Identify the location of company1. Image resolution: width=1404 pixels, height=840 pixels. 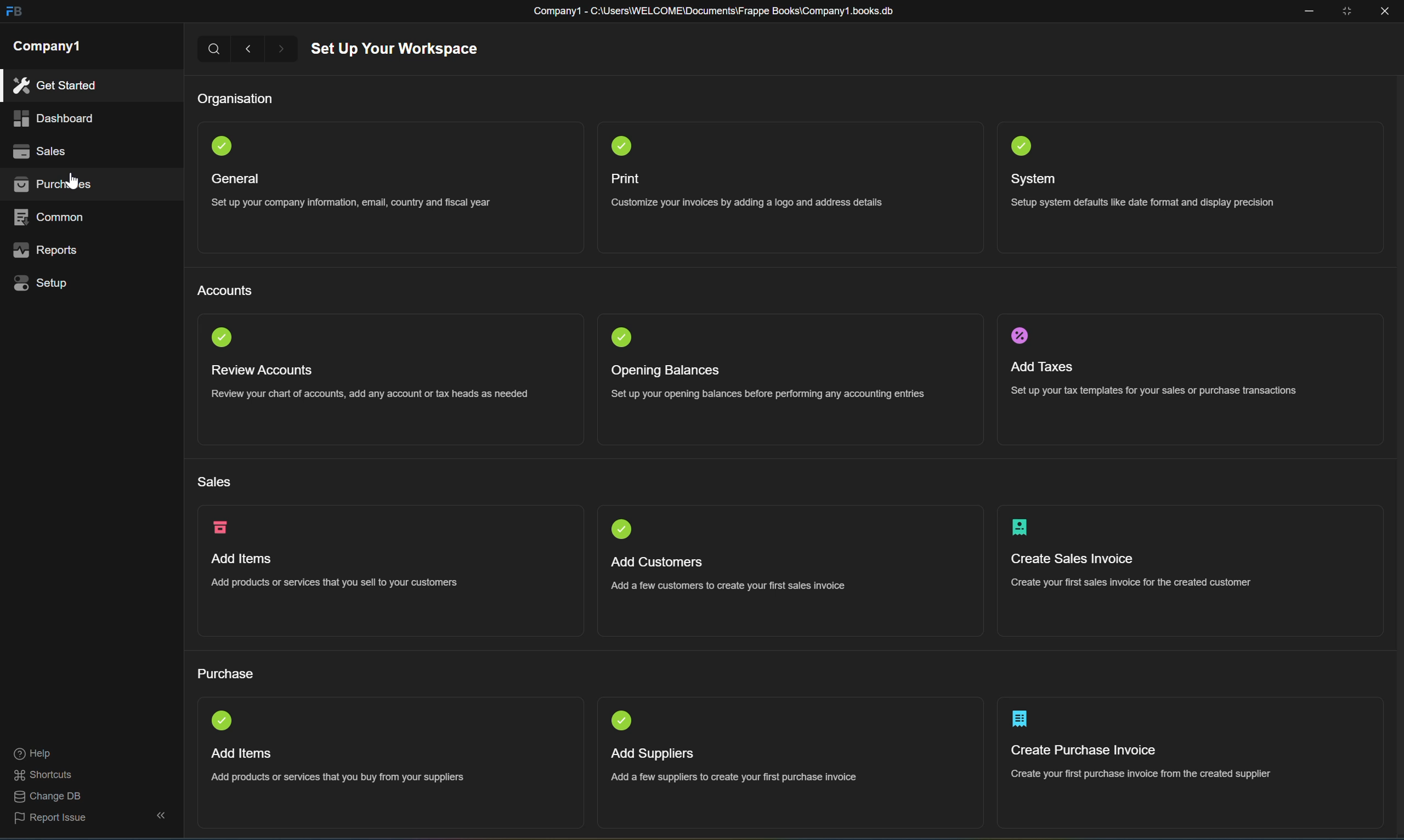
(49, 48).